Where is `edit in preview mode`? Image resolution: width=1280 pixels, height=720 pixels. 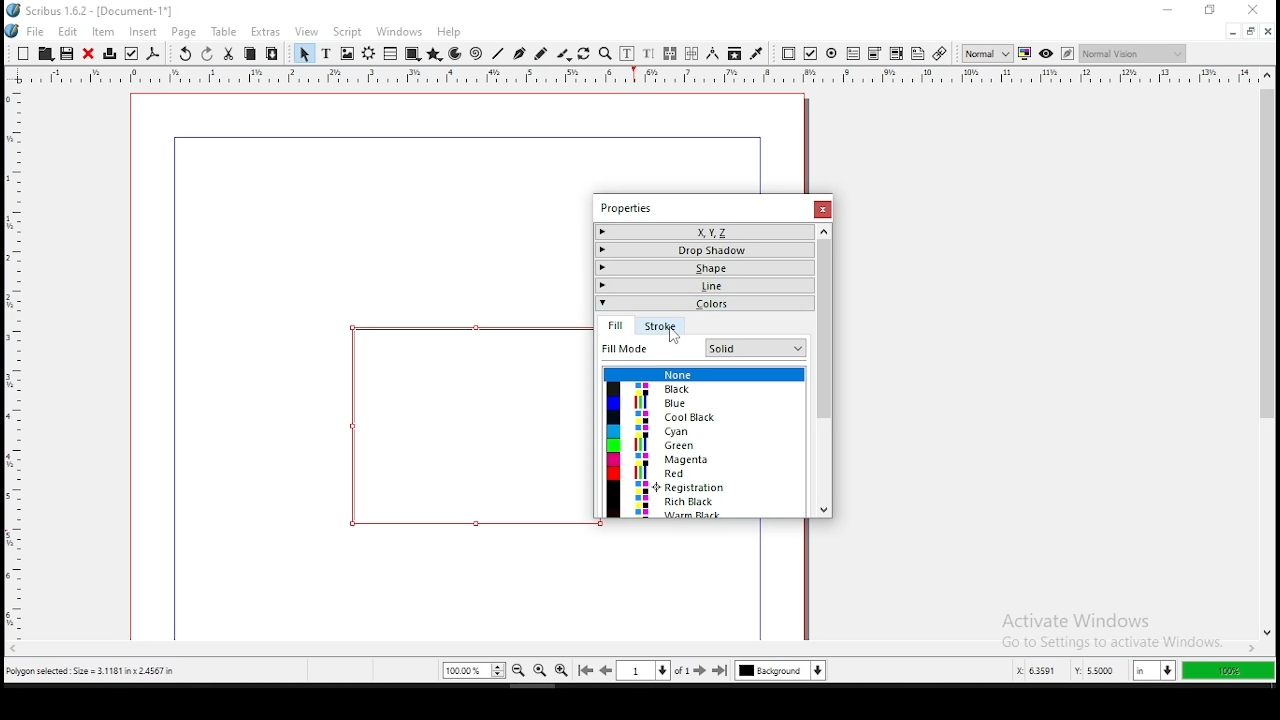 edit in preview mode is located at coordinates (1067, 53).